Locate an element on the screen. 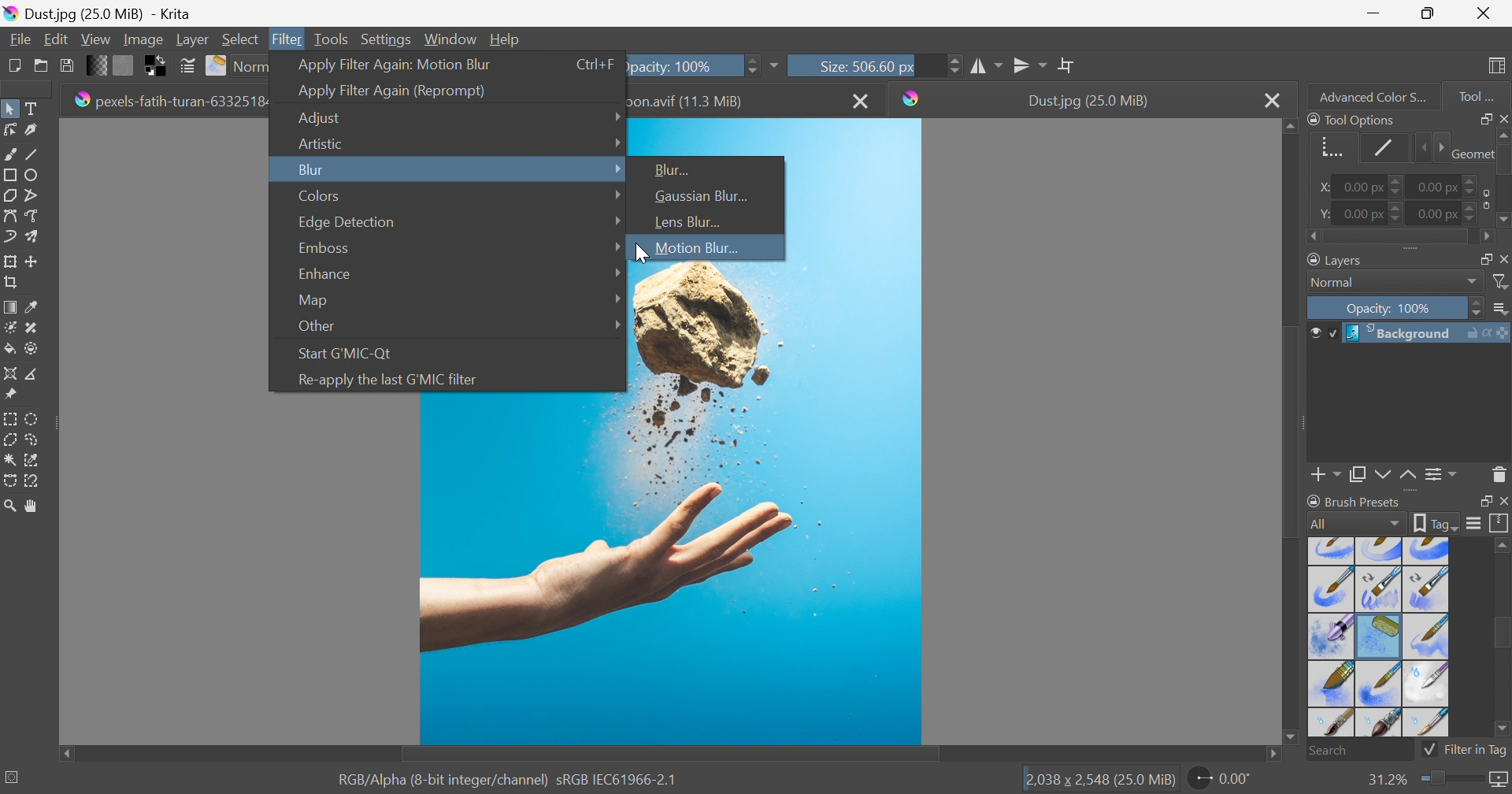  Bezier curve selection tool is located at coordinates (11, 460).